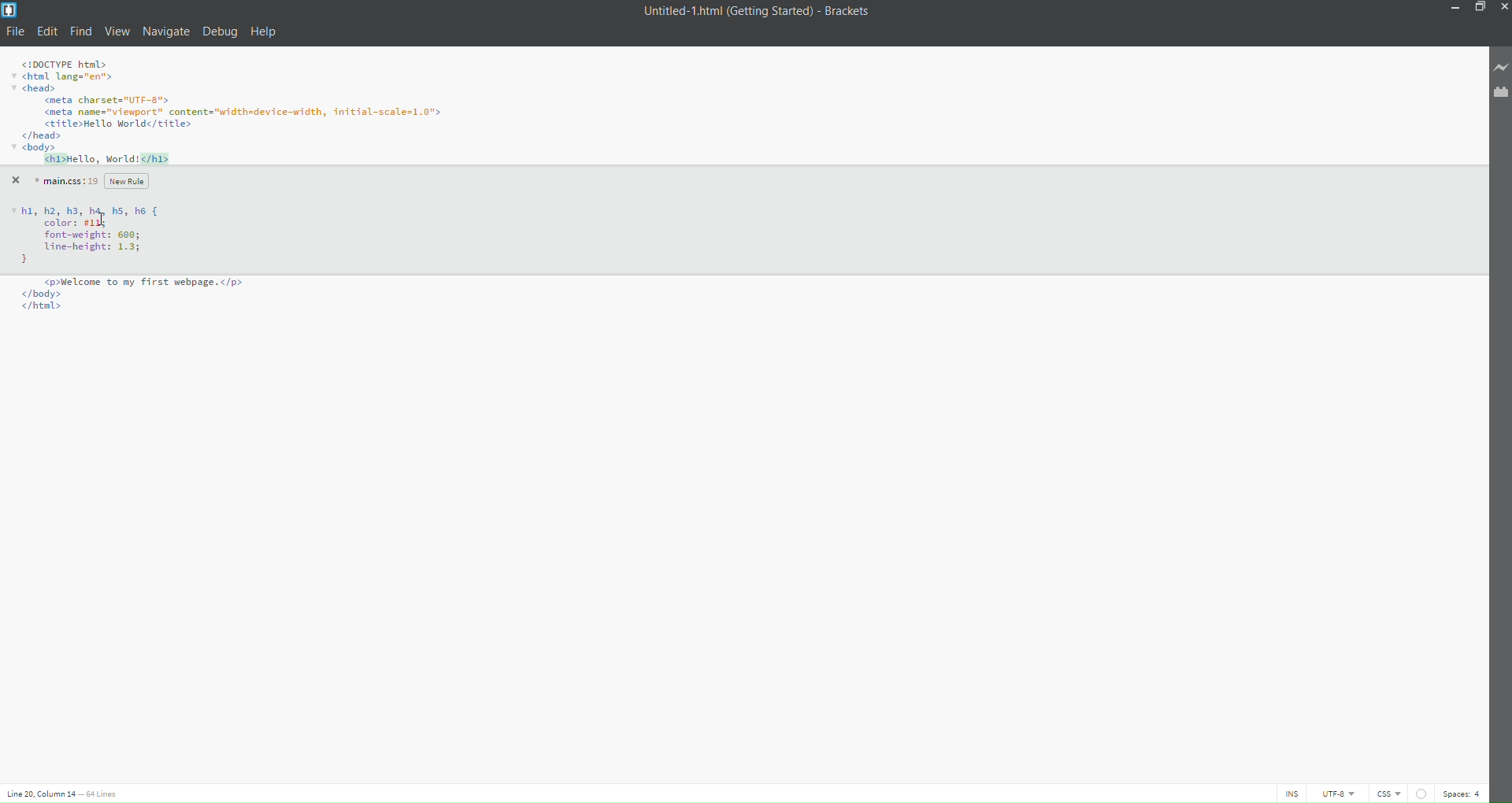 This screenshot has height=803, width=1512. Describe the element at coordinates (98, 252) in the screenshot. I see `color` at that location.